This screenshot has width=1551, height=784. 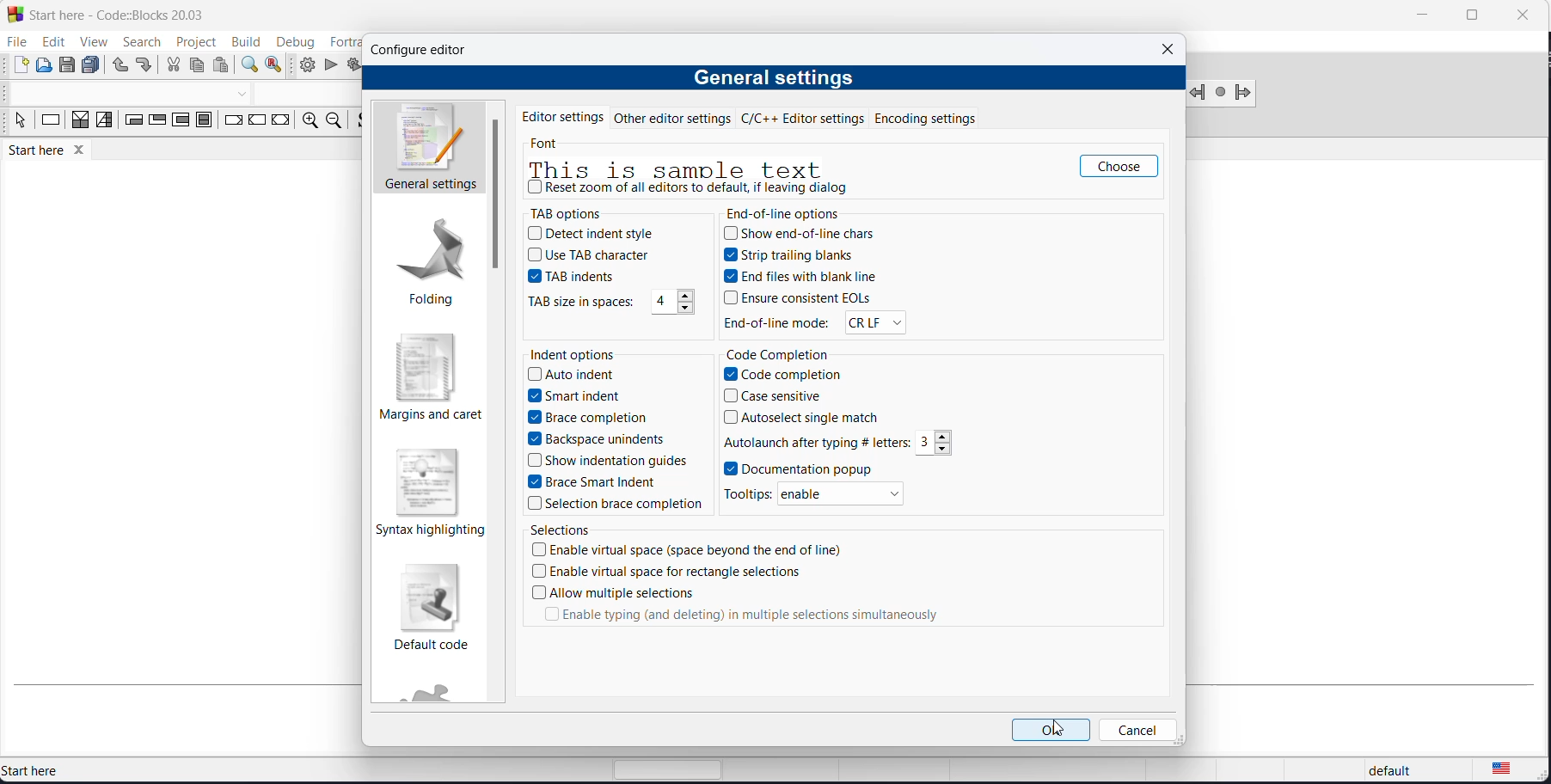 What do you see at coordinates (807, 279) in the screenshot?
I see `end file with blank line checkbox` at bounding box center [807, 279].